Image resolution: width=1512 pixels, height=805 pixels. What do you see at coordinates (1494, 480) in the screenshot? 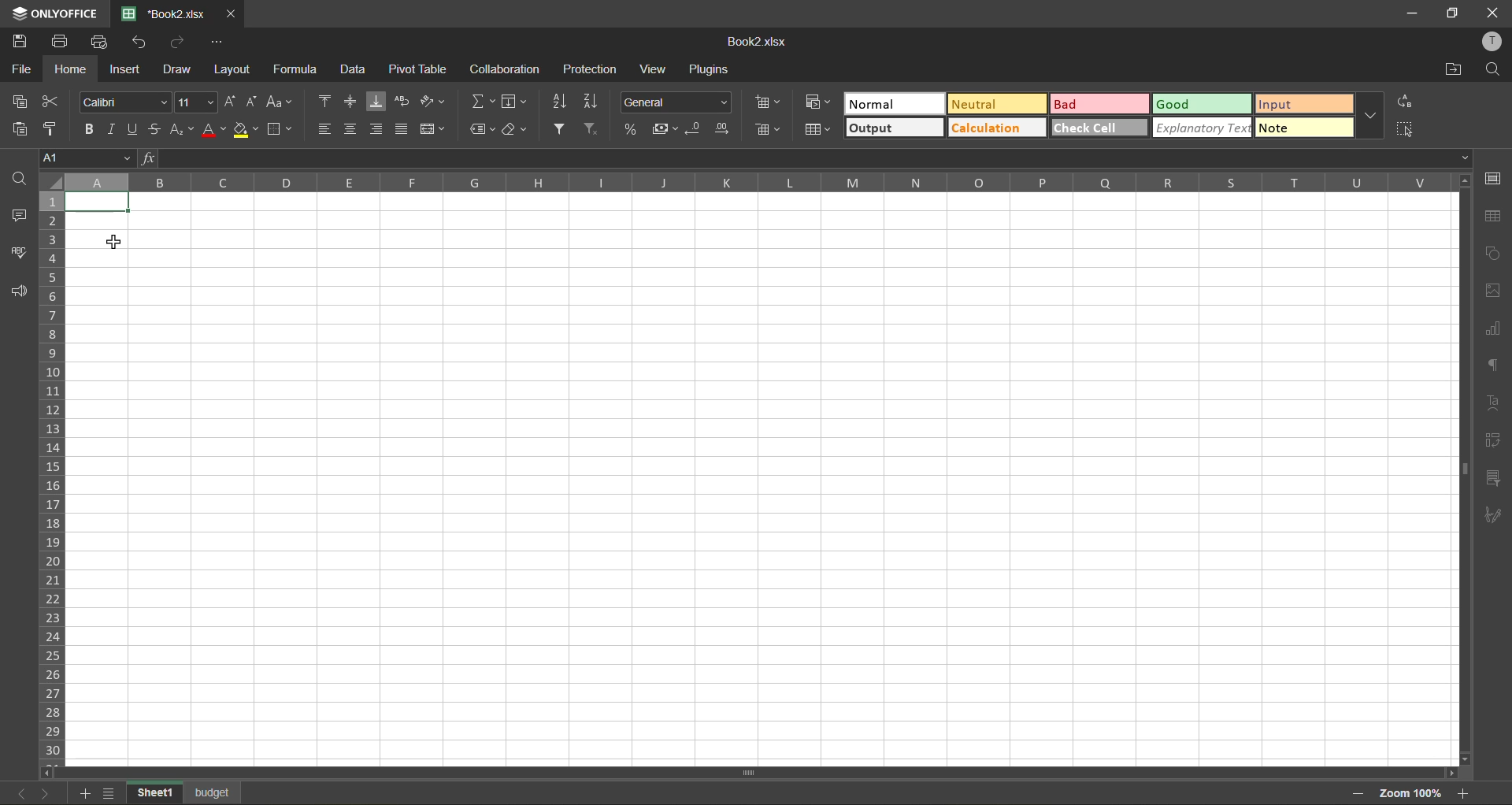
I see `slicer` at bounding box center [1494, 480].